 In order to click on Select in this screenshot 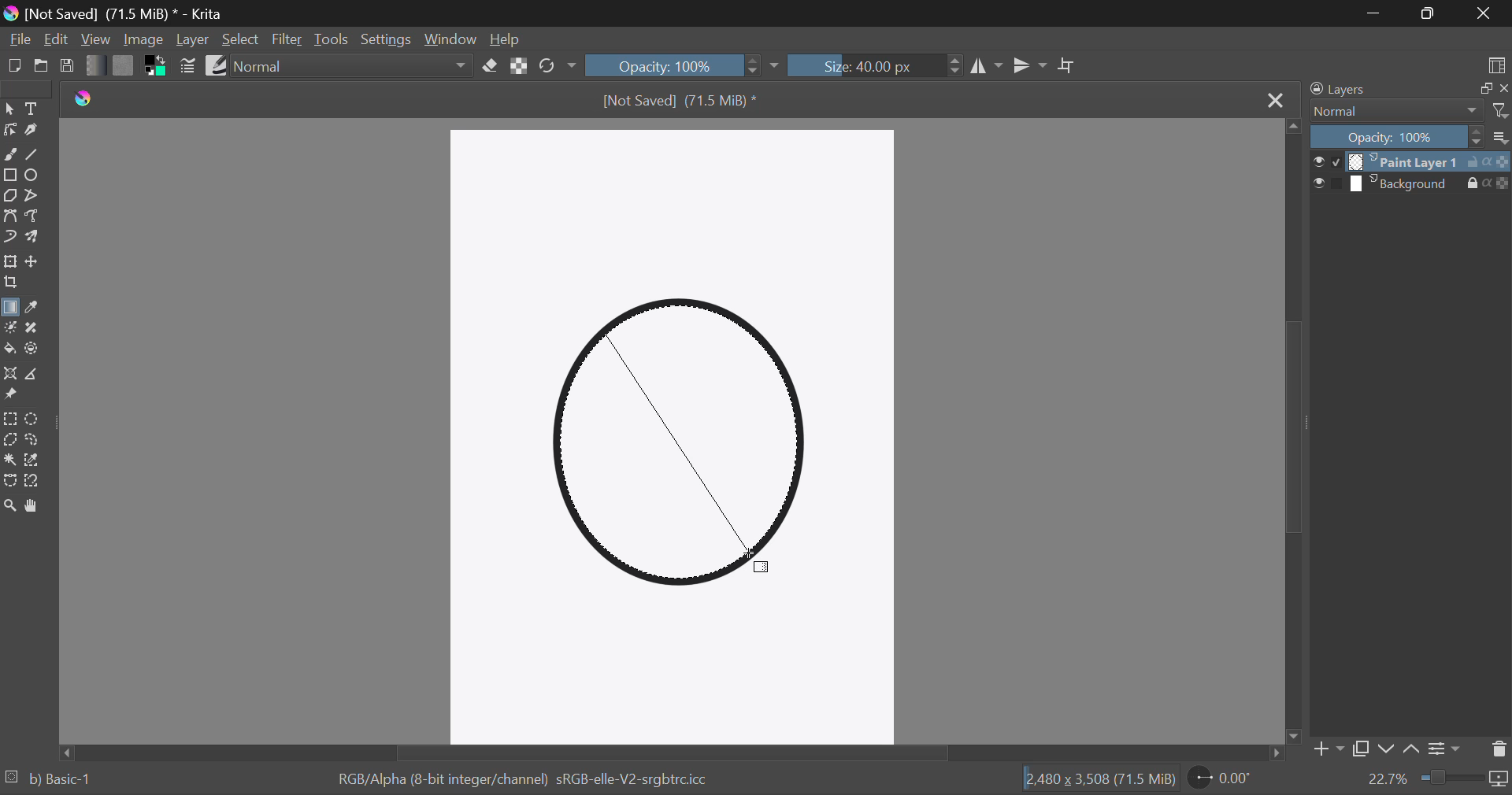, I will do `click(241, 42)`.